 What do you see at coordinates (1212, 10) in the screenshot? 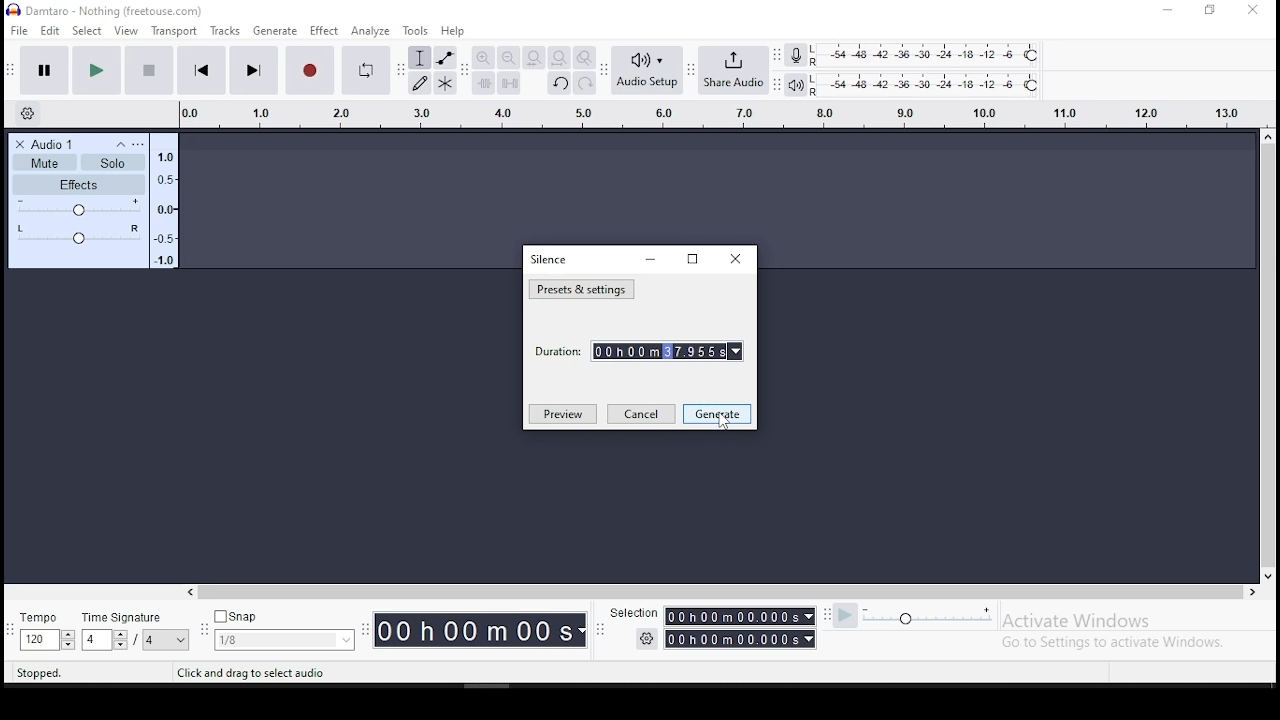
I see `restore` at bounding box center [1212, 10].